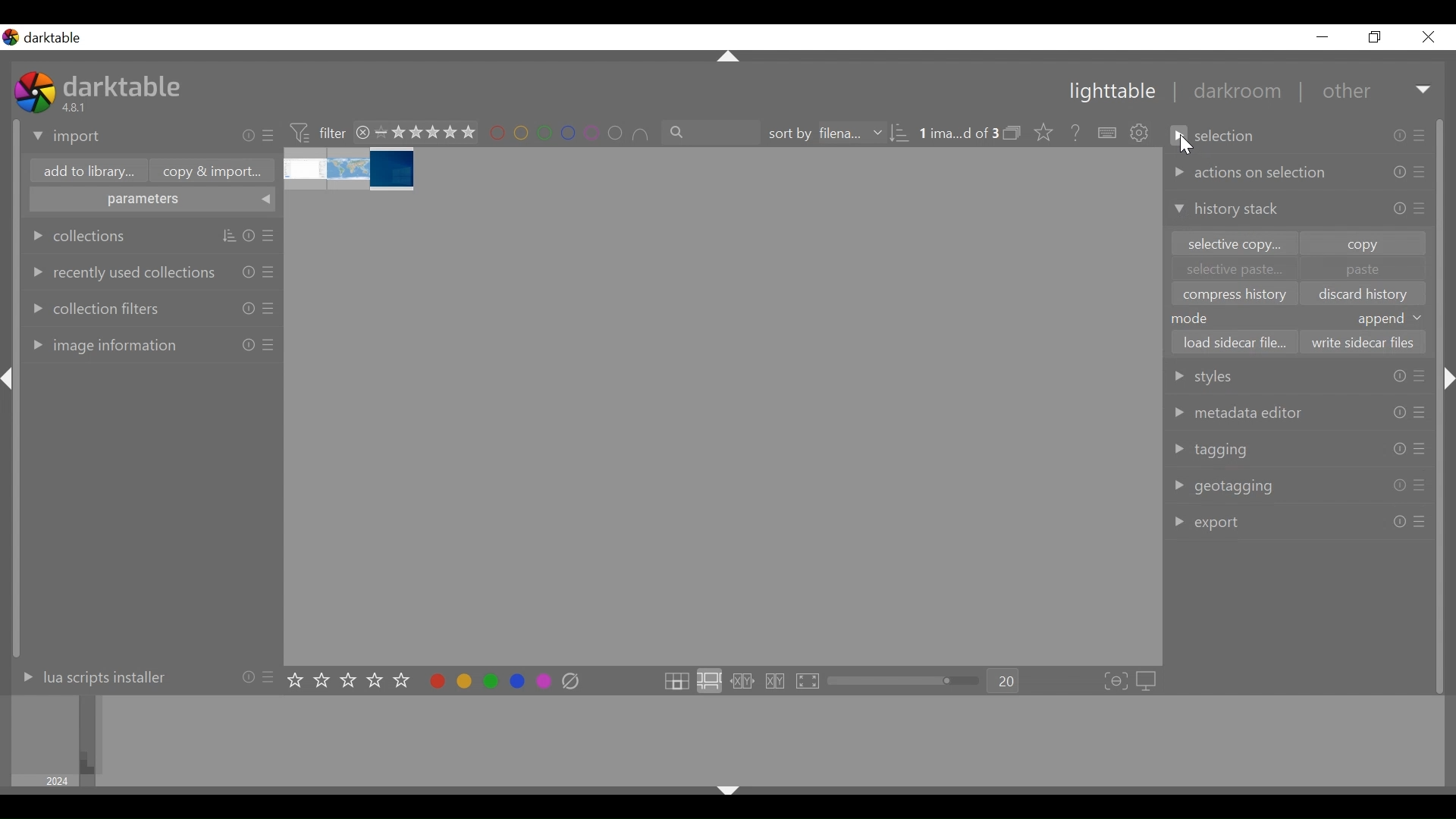  What do you see at coordinates (708, 682) in the screenshot?
I see `click to enter zoomable lighttable layout` at bounding box center [708, 682].